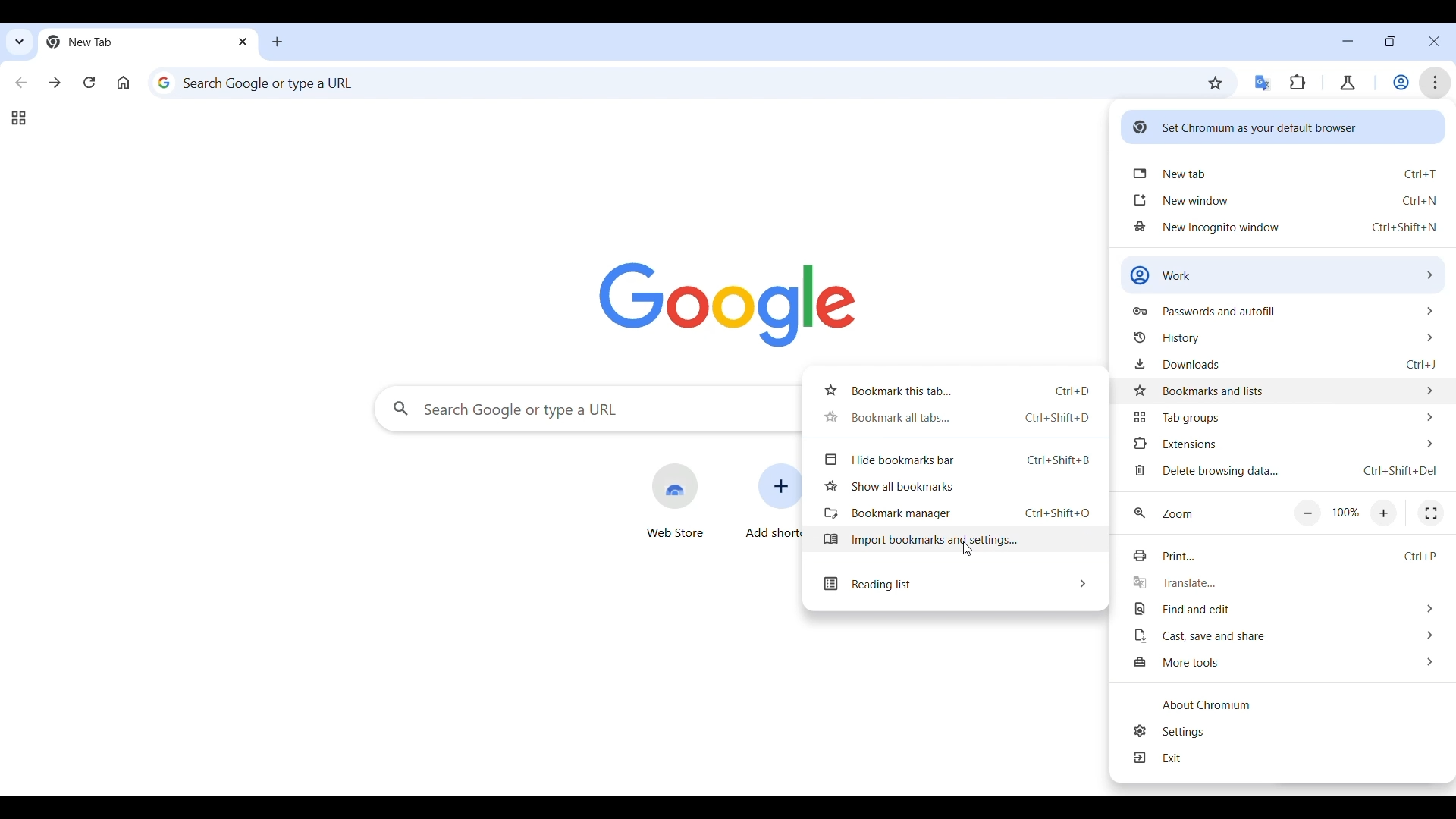 The image size is (1456, 819). I want to click on new window, so click(1286, 200).